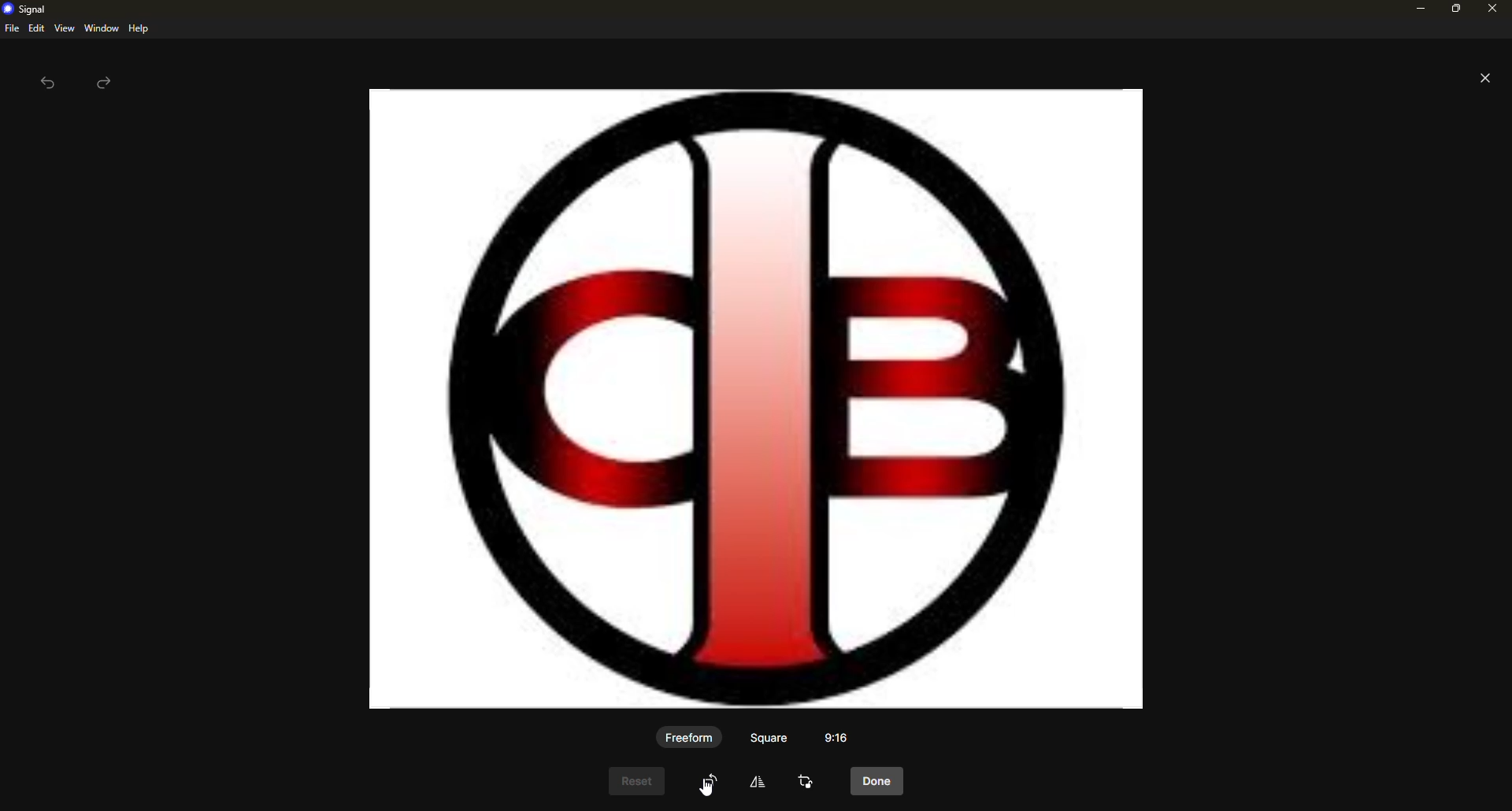 The height and width of the screenshot is (811, 1512). Describe the element at coordinates (48, 83) in the screenshot. I see `back` at that location.